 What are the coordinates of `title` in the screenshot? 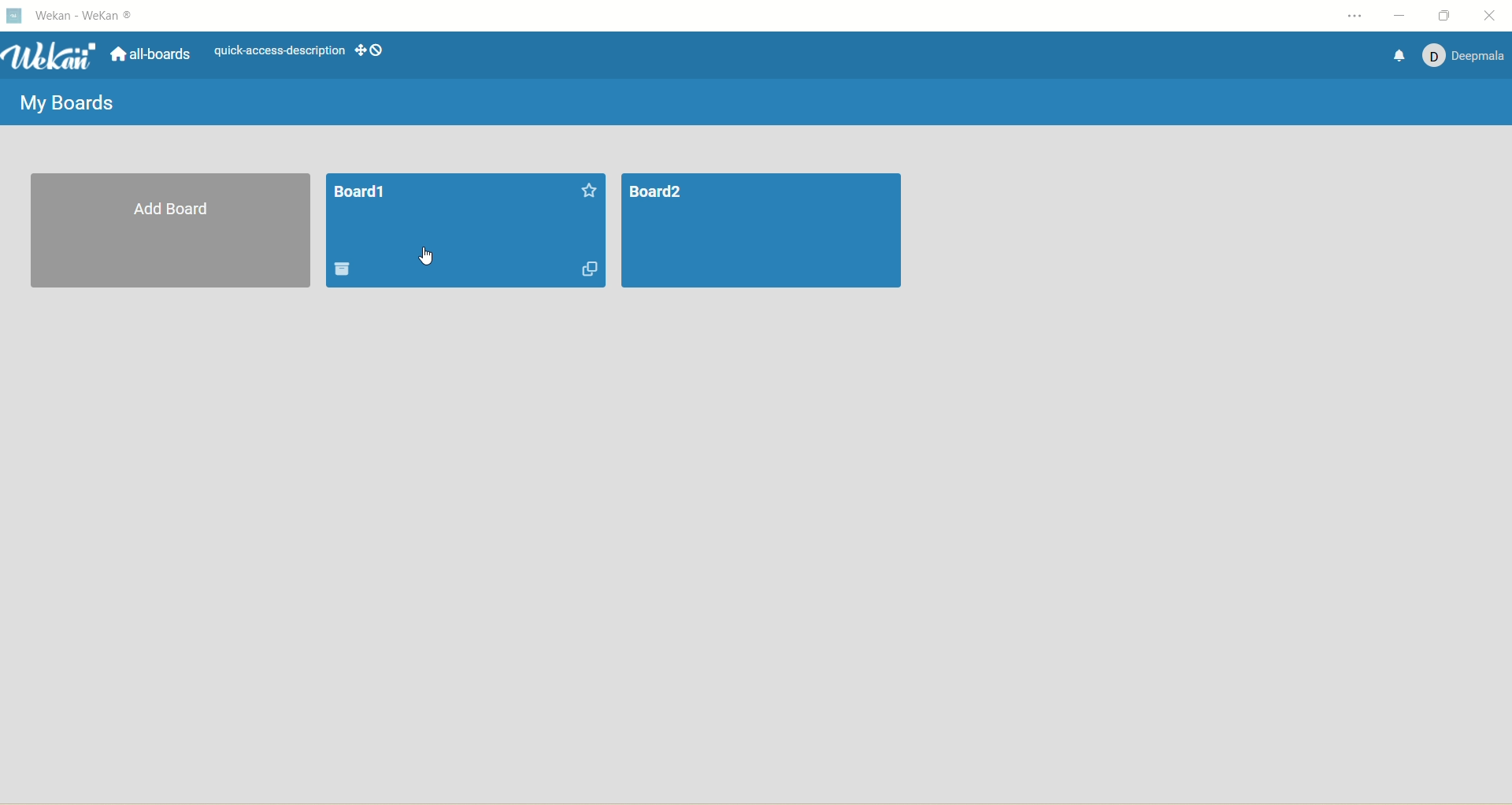 It's located at (95, 20).